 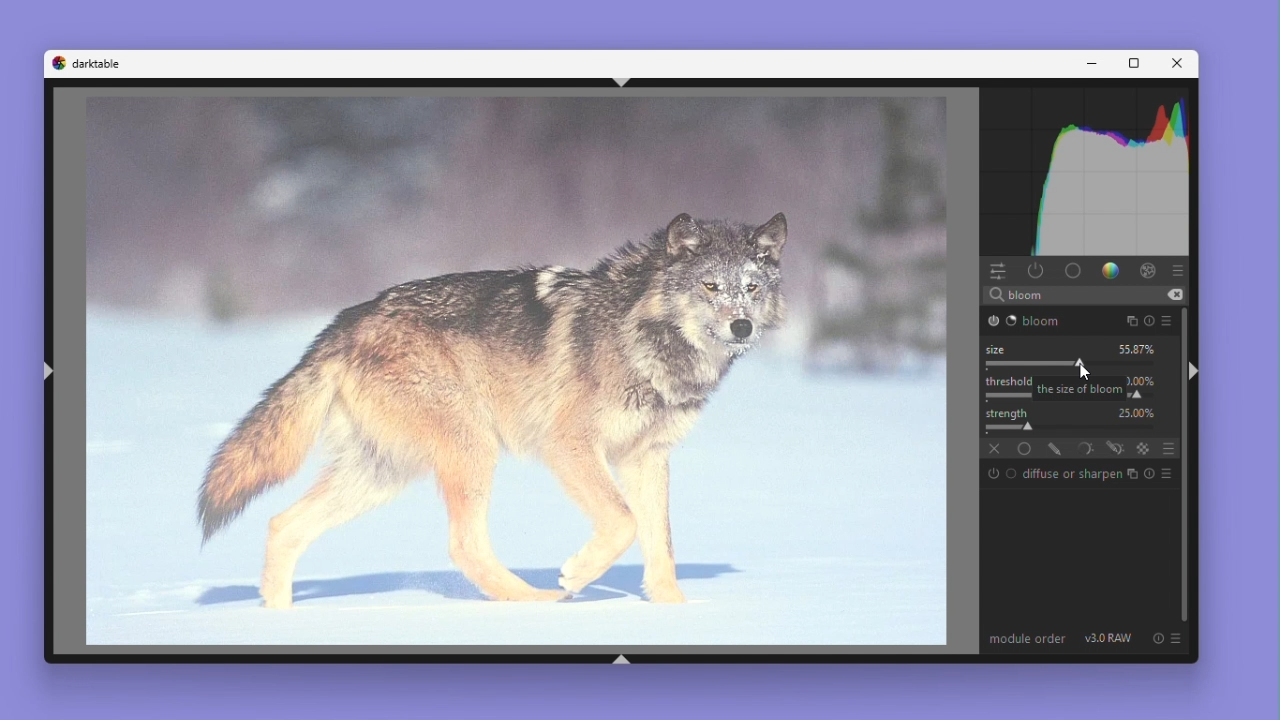 What do you see at coordinates (1029, 638) in the screenshot?
I see `Module order` at bounding box center [1029, 638].